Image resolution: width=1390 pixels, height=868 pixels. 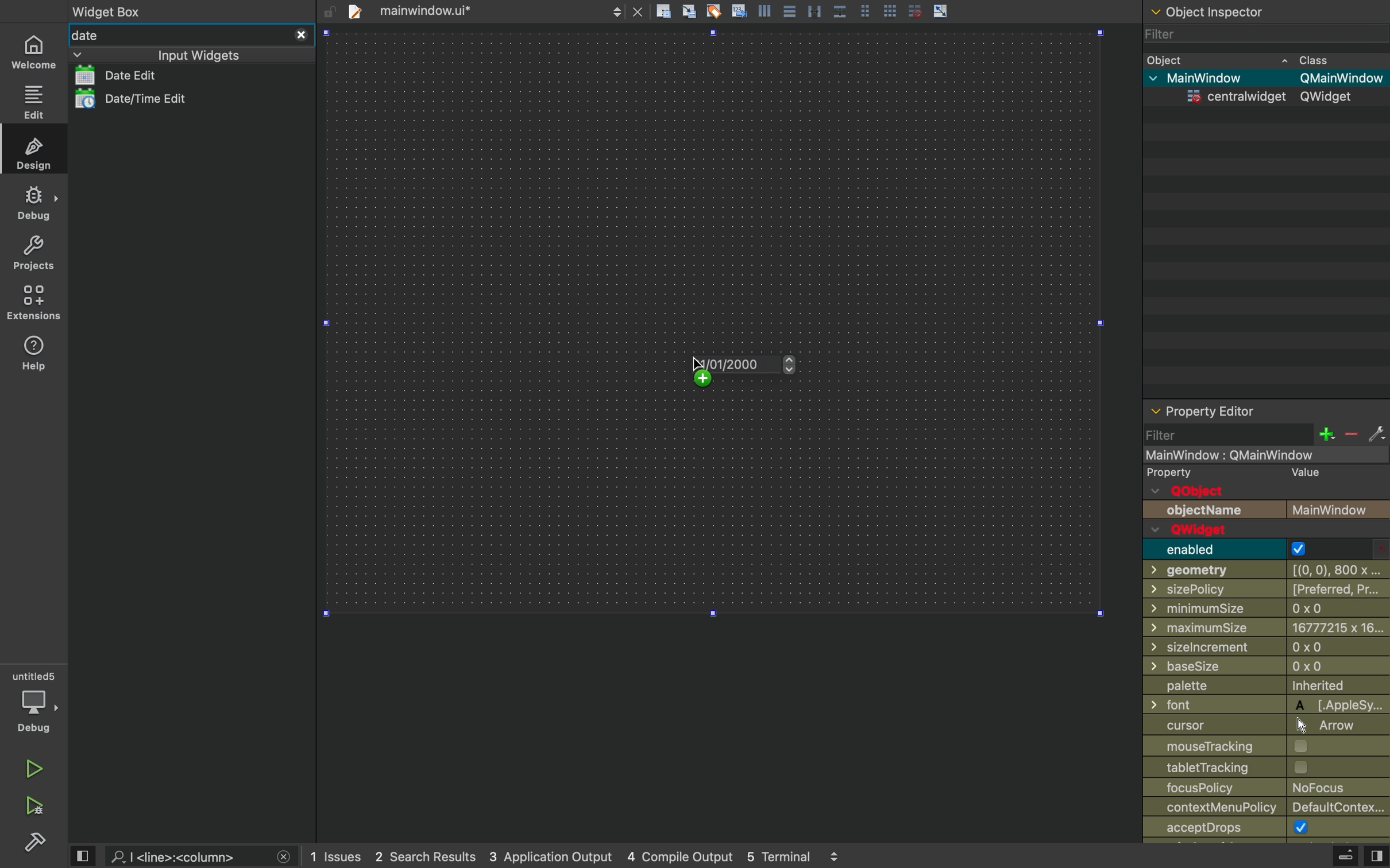 I want to click on mainwindow, so click(x=1267, y=79).